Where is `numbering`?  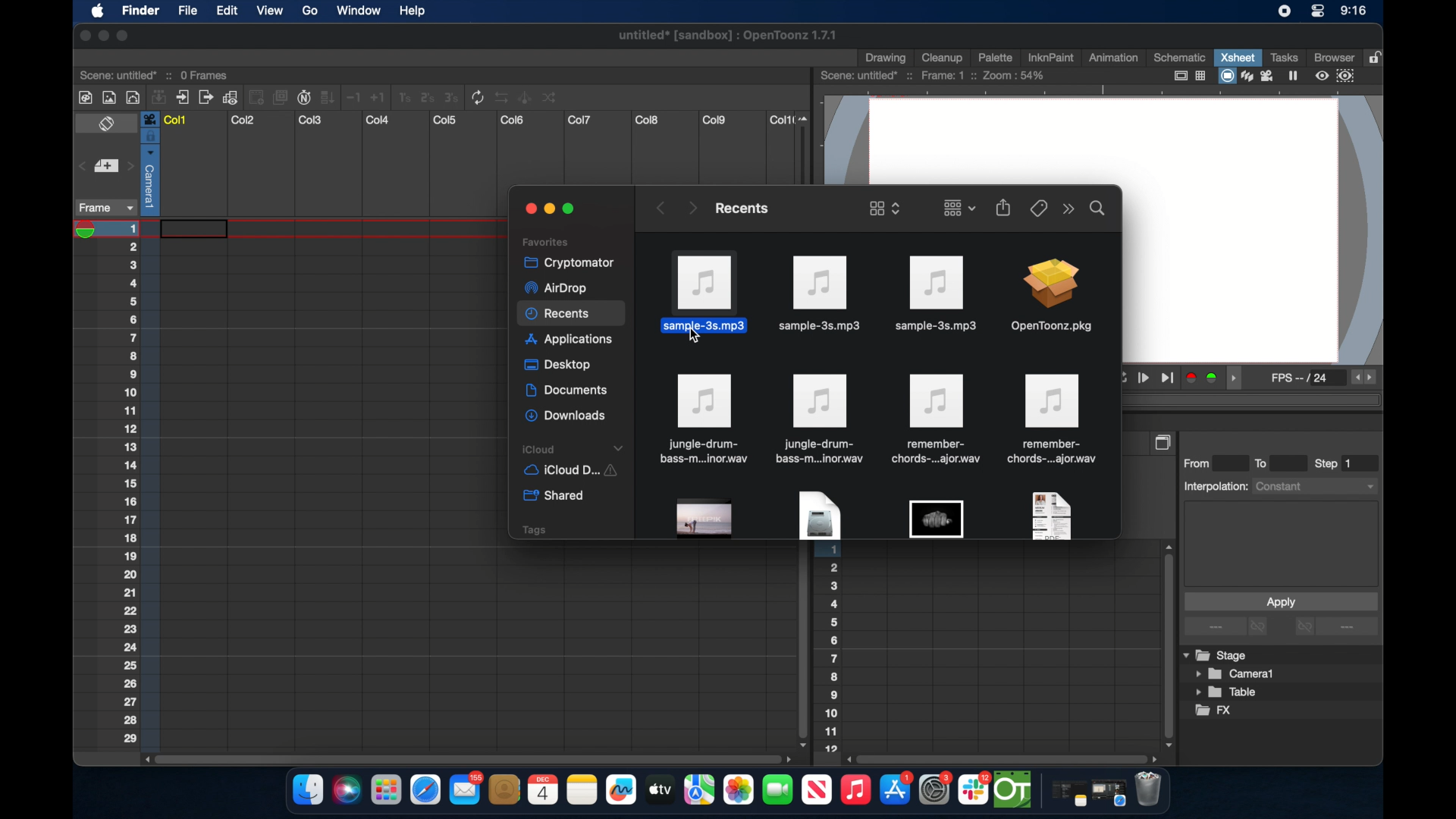
numbering is located at coordinates (140, 483).